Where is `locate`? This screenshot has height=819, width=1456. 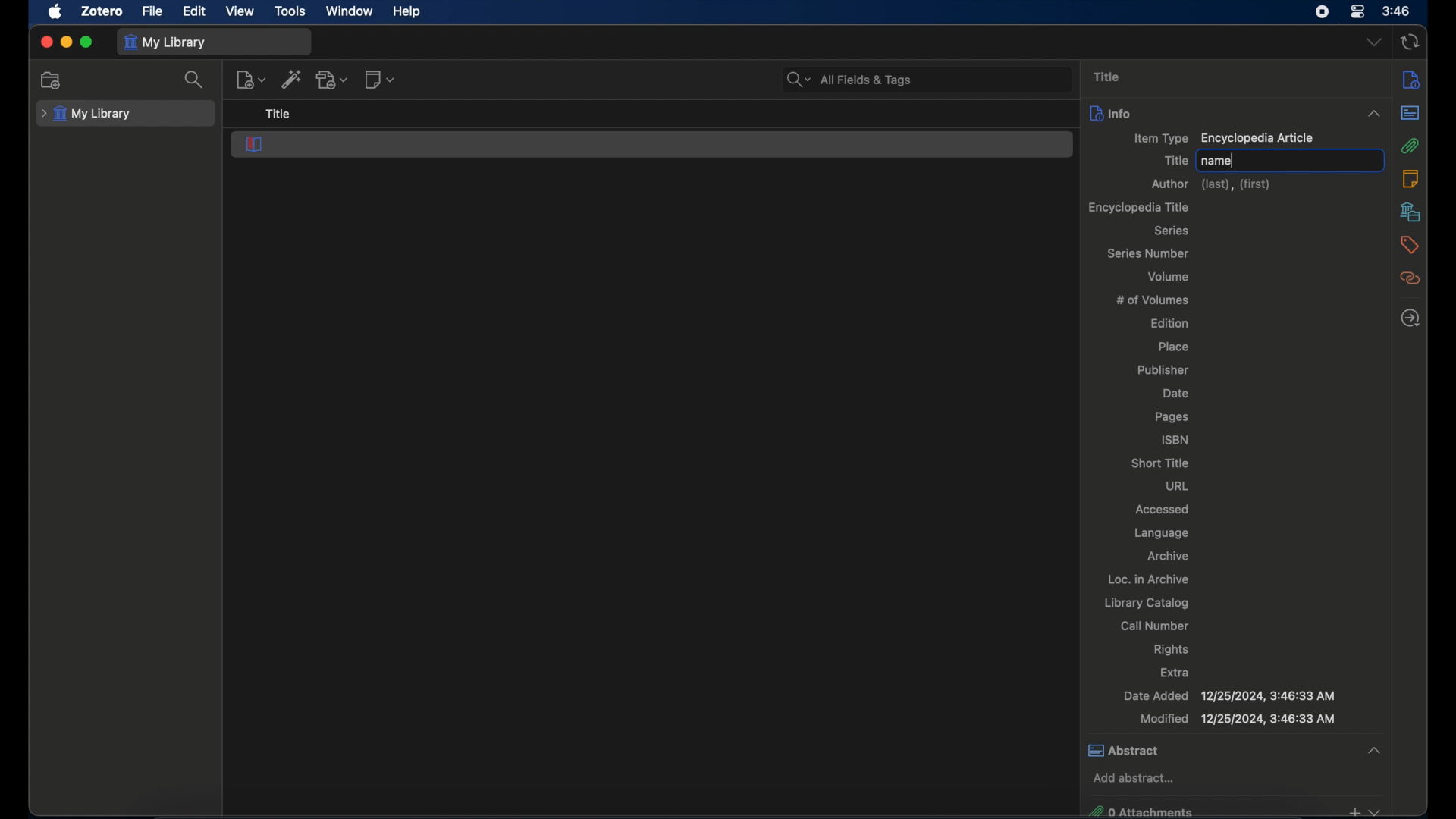 locate is located at coordinates (1410, 319).